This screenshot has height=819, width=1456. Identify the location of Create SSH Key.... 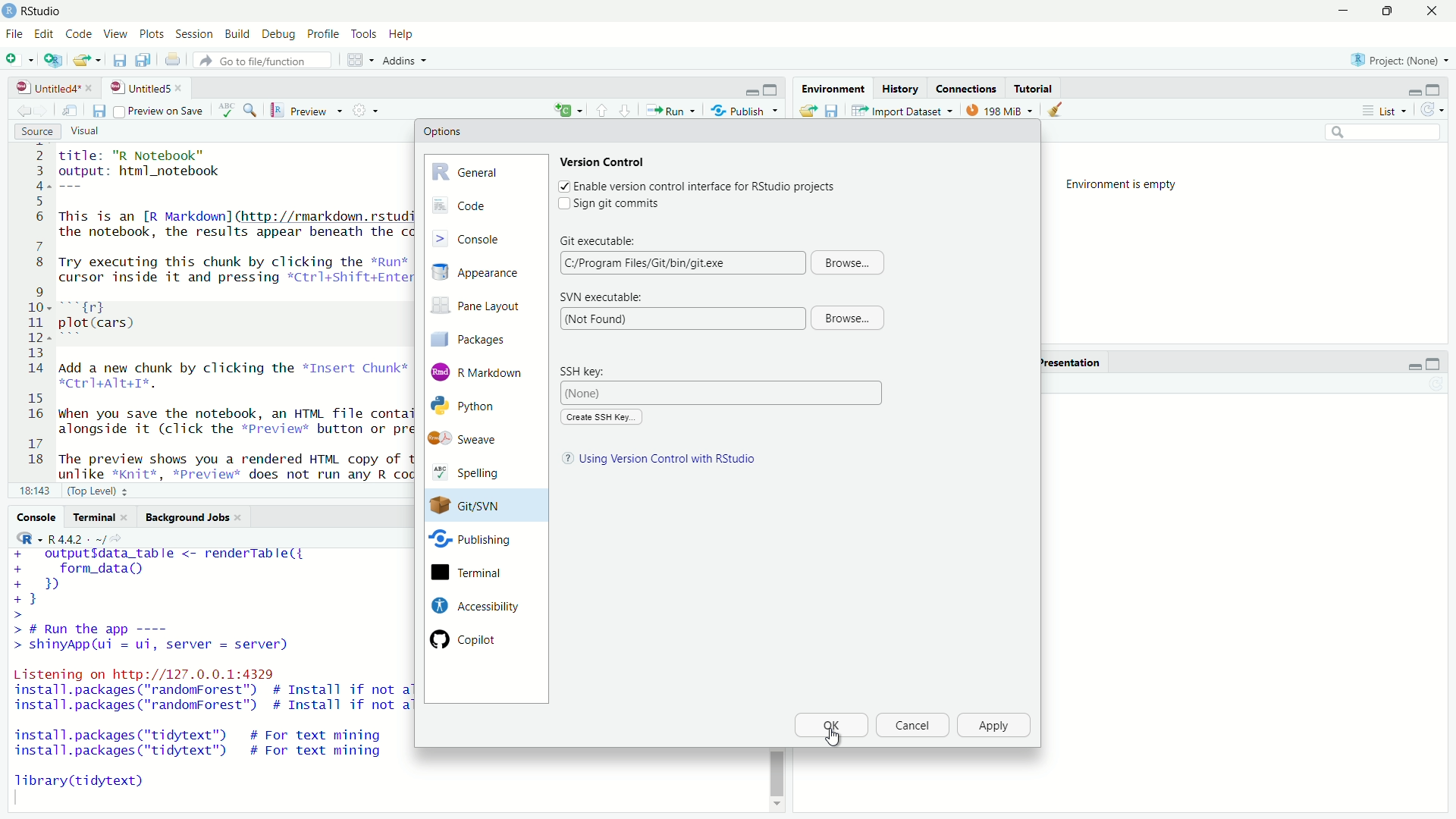
(601, 417).